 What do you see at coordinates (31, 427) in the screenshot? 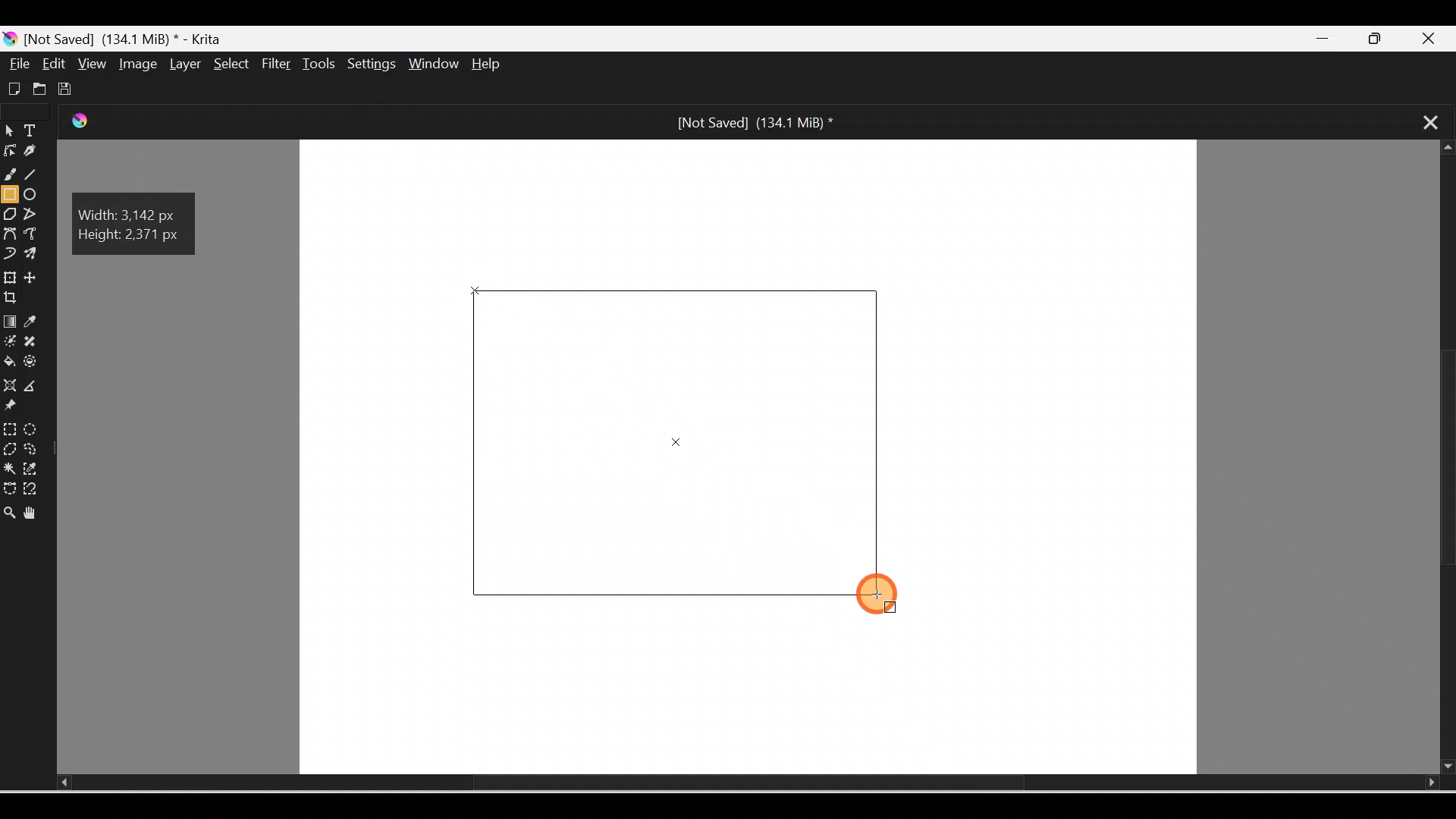
I see `Elliptical selection tool` at bounding box center [31, 427].